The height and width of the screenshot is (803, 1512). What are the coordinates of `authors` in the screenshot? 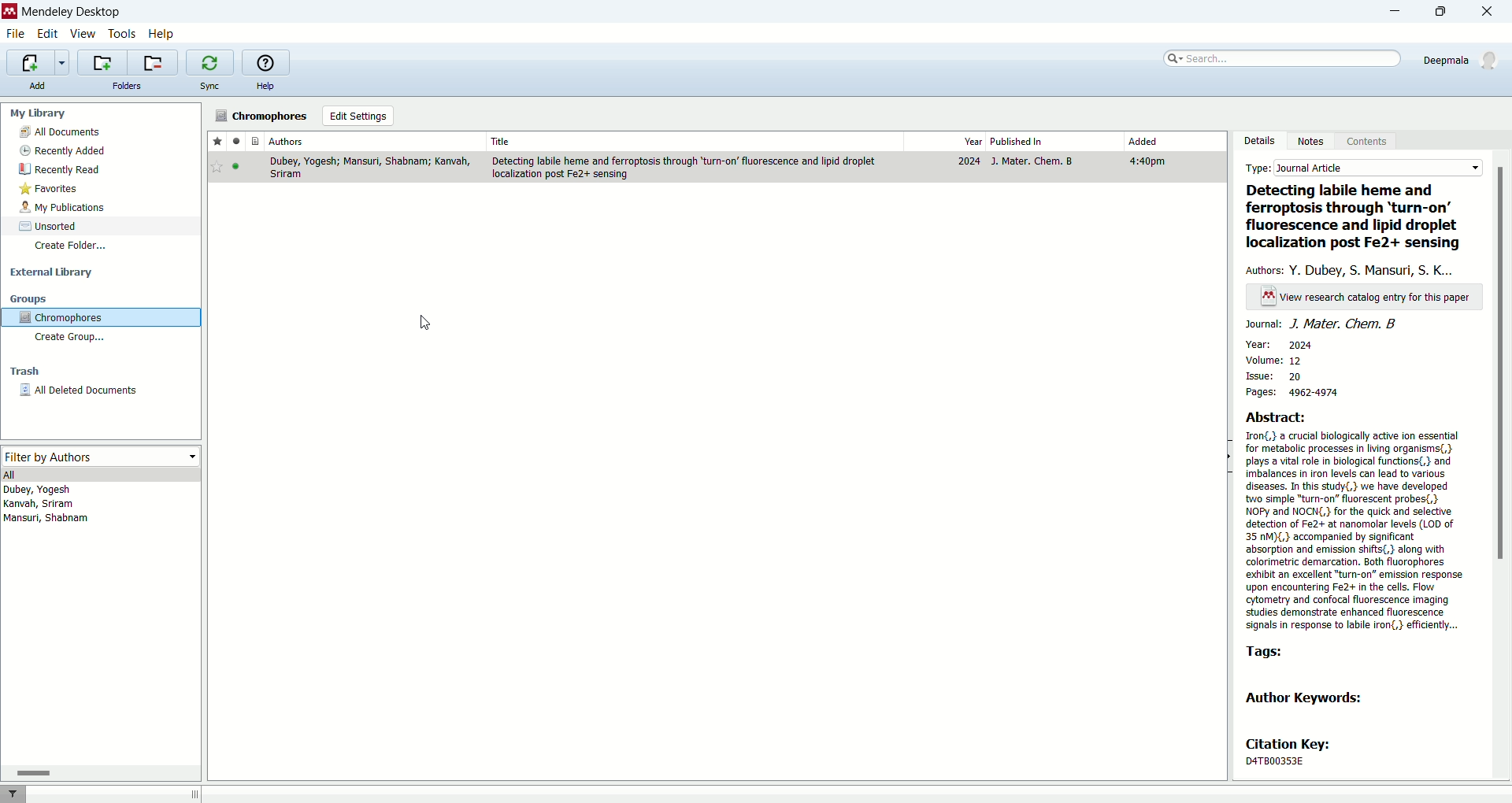 It's located at (375, 142).